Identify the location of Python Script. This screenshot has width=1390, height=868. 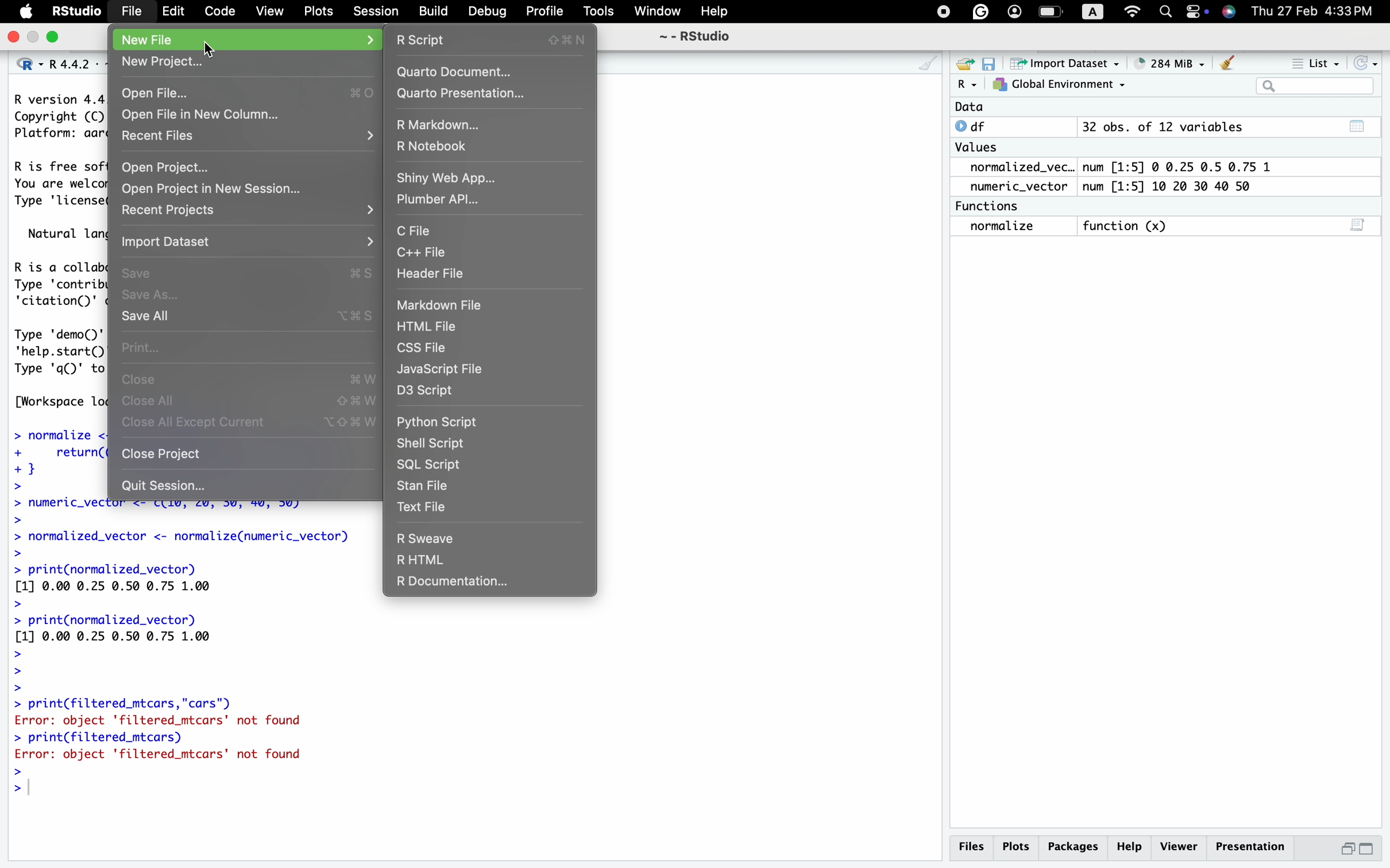
(438, 421).